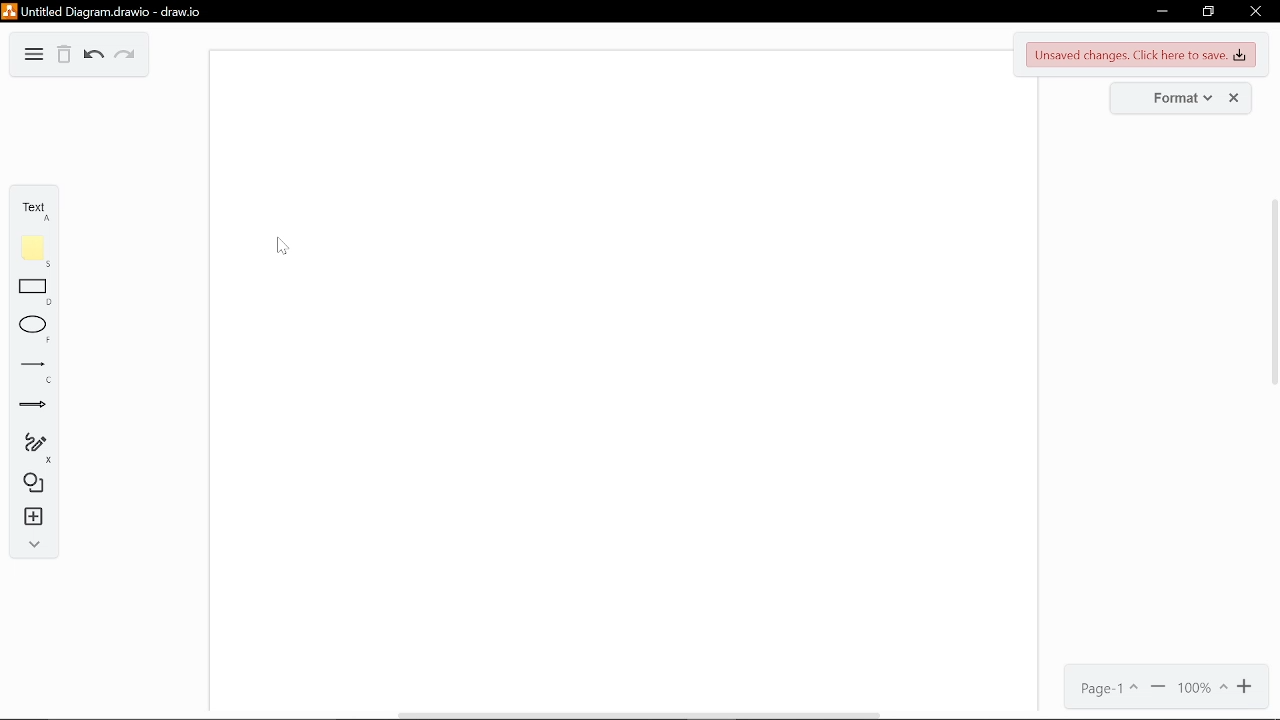 The height and width of the screenshot is (720, 1280). Describe the element at coordinates (1208, 13) in the screenshot. I see `restore down` at that location.